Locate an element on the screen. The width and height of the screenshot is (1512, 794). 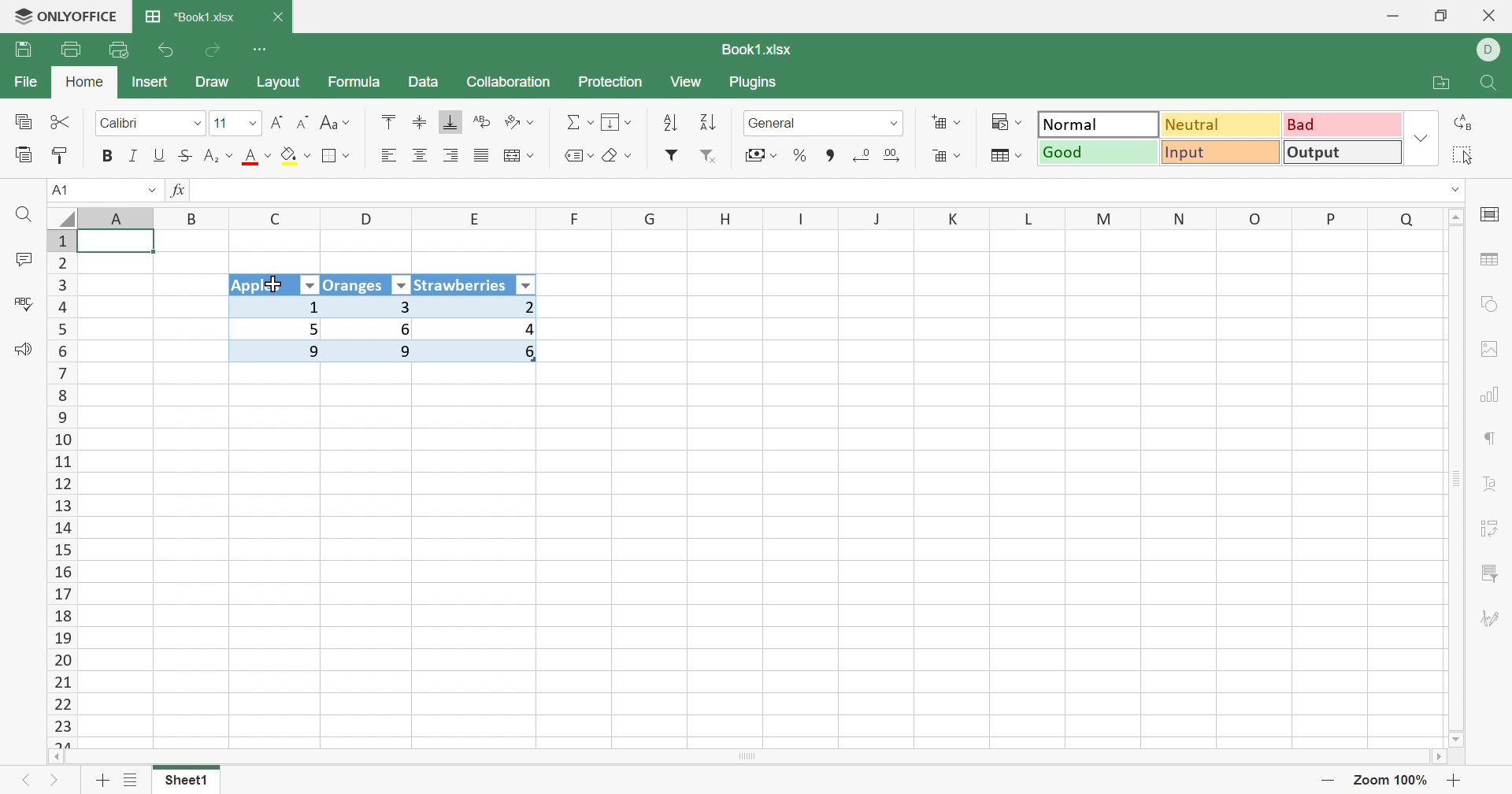
Open file location is located at coordinates (1445, 83).